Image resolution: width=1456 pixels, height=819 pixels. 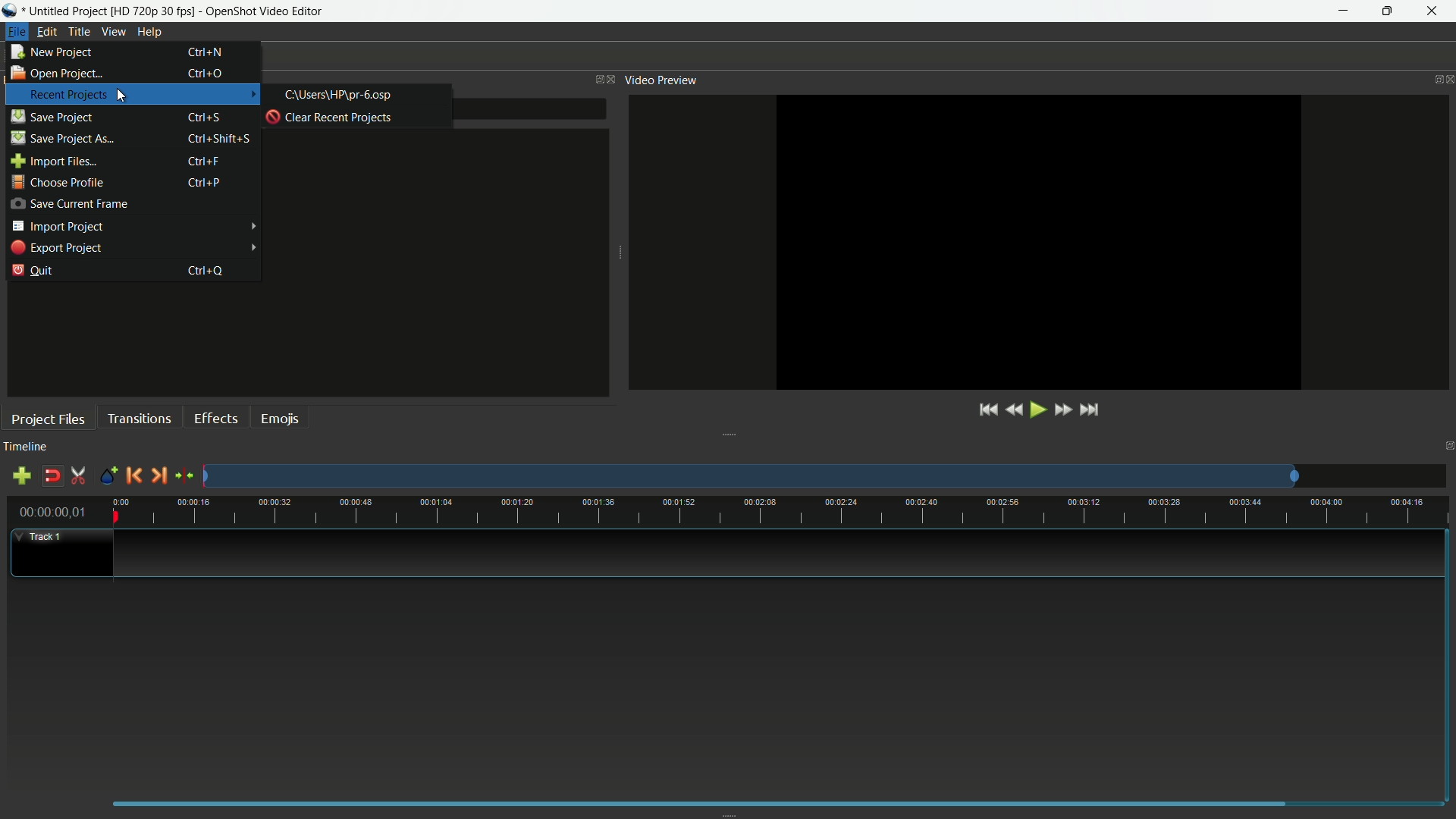 What do you see at coordinates (283, 417) in the screenshot?
I see `emojis` at bounding box center [283, 417].